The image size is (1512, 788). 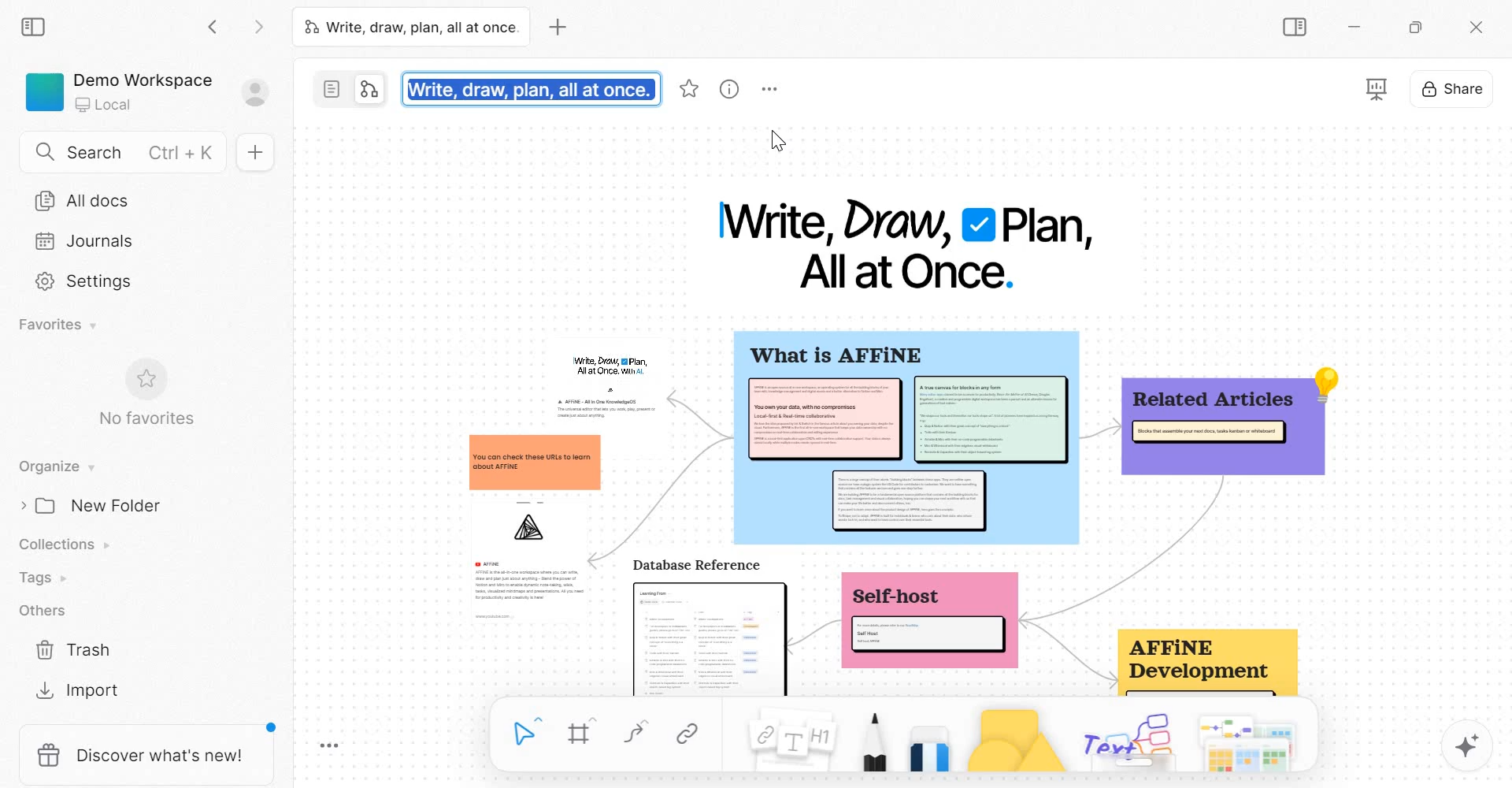 I want to click on favorite symbol, so click(x=143, y=379).